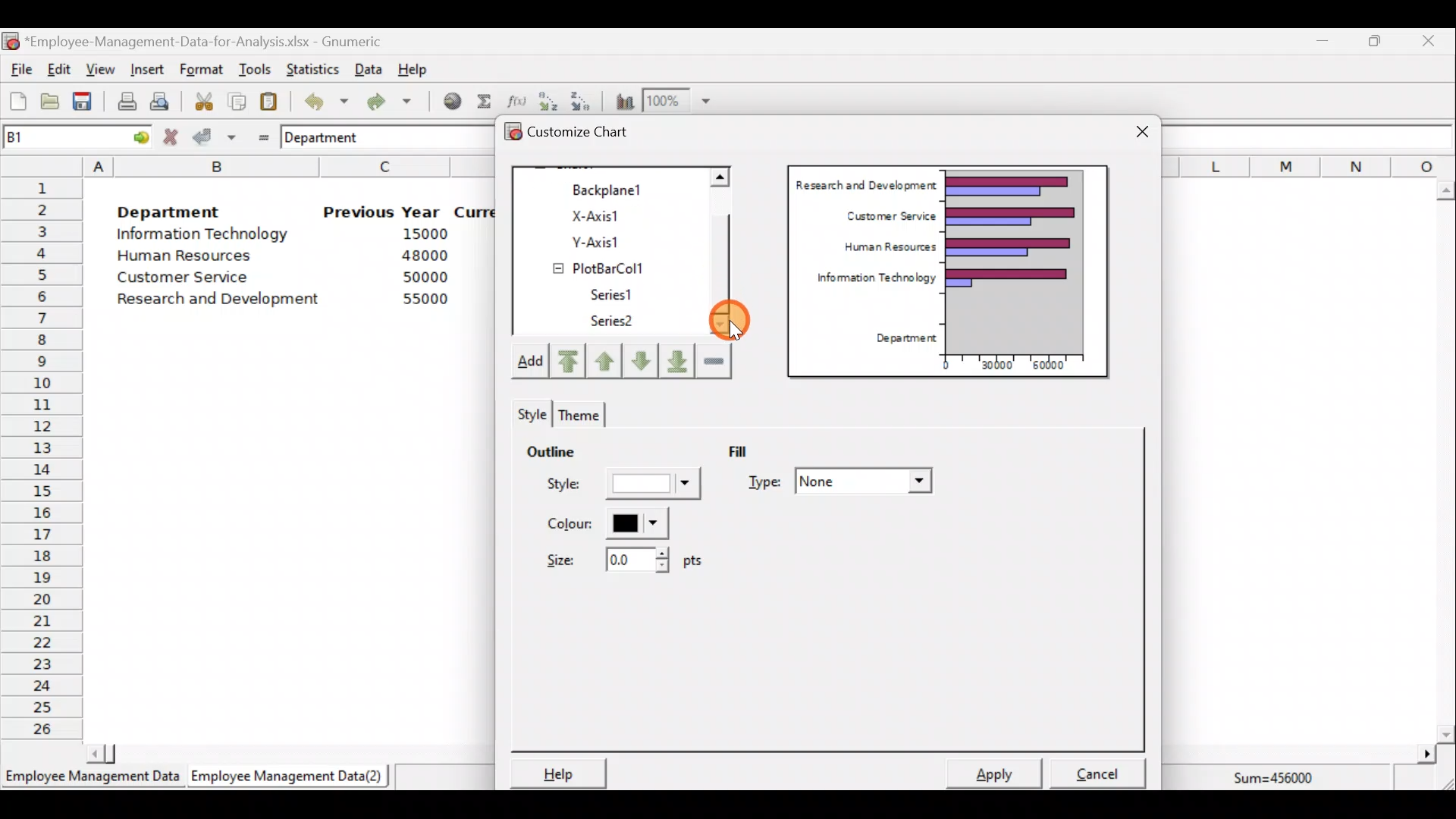 Image resolution: width=1456 pixels, height=819 pixels. What do you see at coordinates (422, 68) in the screenshot?
I see `Help` at bounding box center [422, 68].